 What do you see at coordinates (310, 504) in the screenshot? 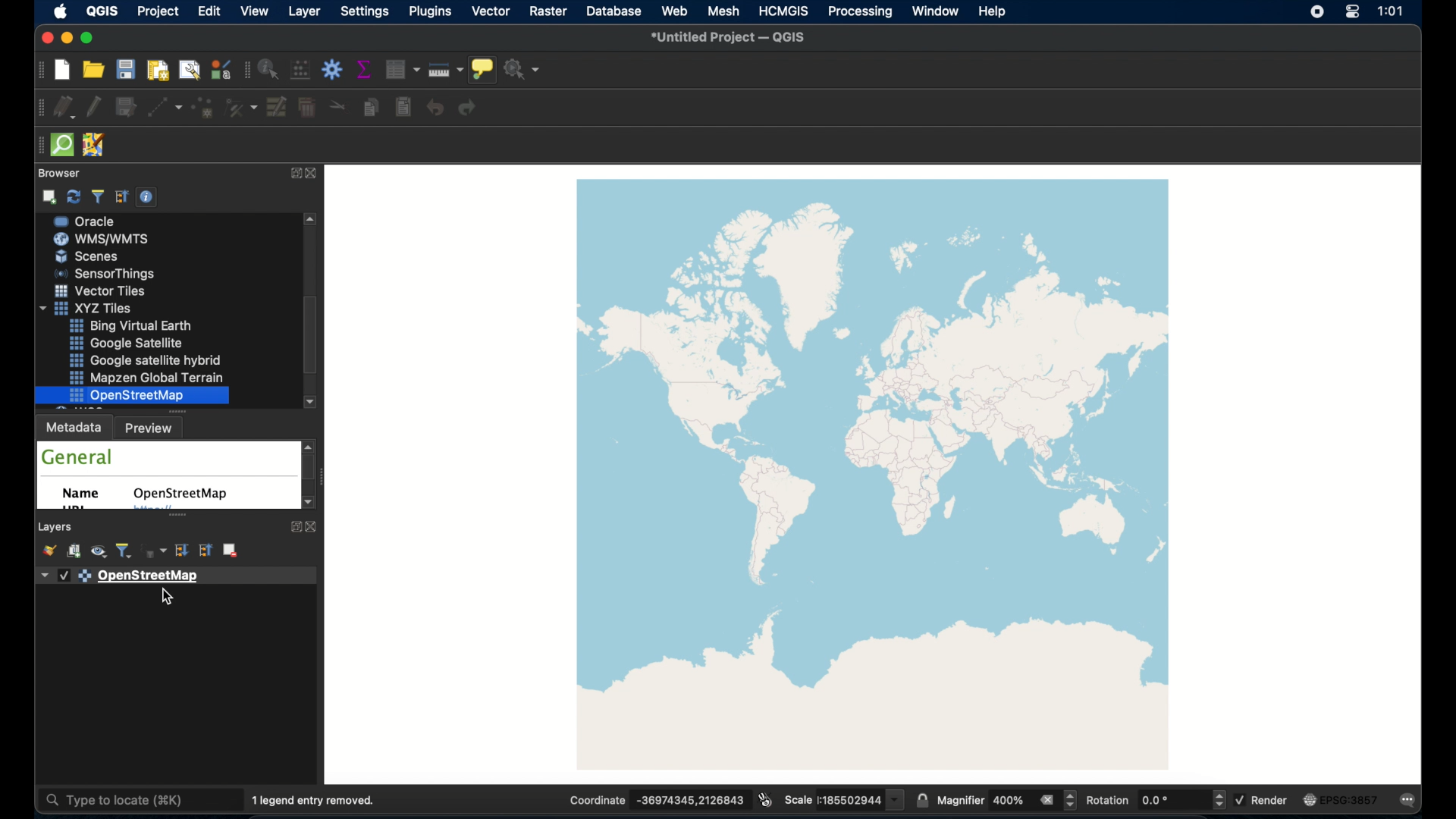
I see `scroll down arrow` at bounding box center [310, 504].